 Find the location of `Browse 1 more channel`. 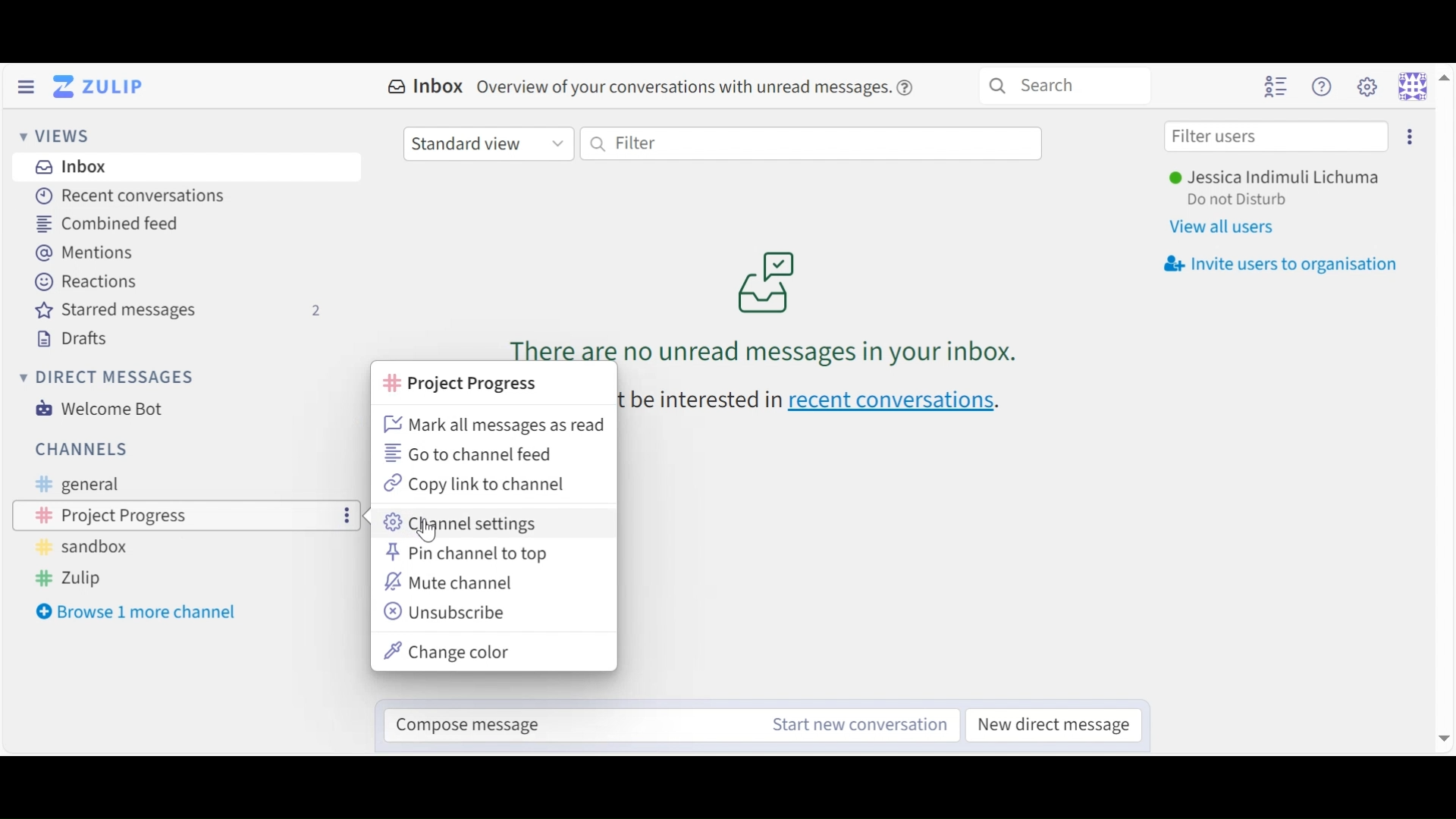

Browse 1 more channel is located at coordinates (144, 611).